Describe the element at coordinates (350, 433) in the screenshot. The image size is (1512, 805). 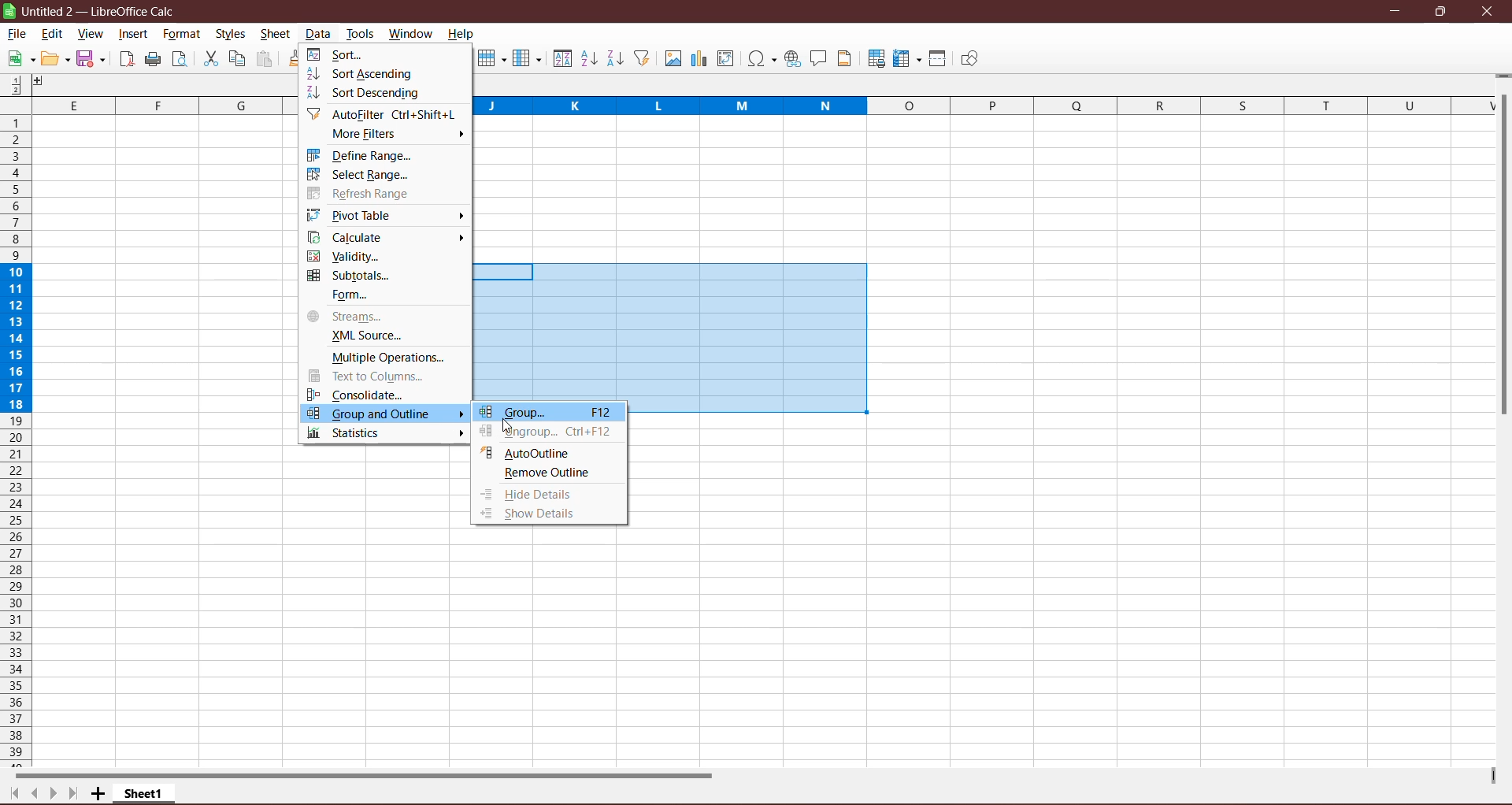
I see `Statistics` at that location.